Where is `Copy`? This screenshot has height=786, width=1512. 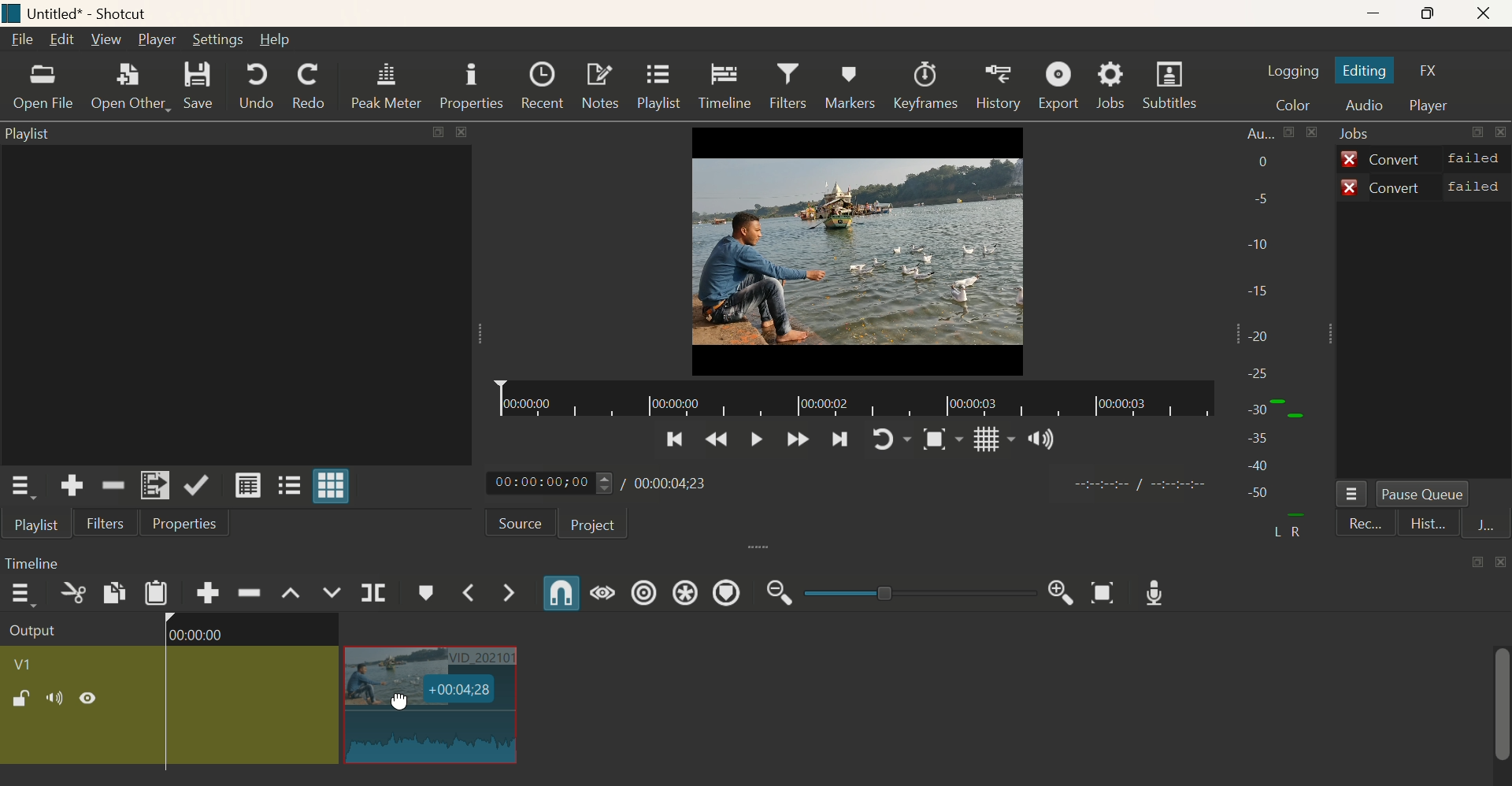 Copy is located at coordinates (111, 595).